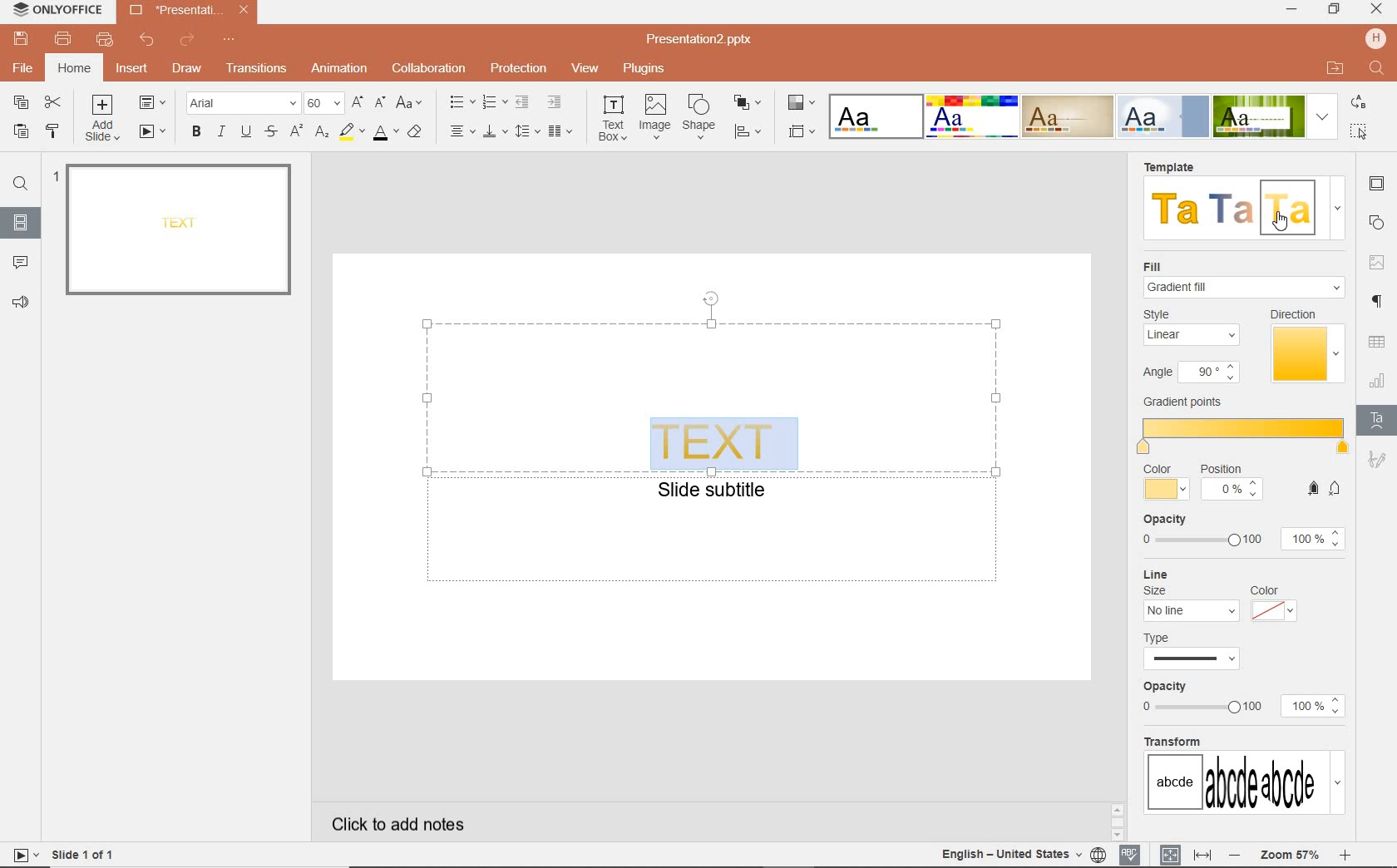  What do you see at coordinates (83, 853) in the screenshot?
I see `SLIDE 1 OF 1` at bounding box center [83, 853].